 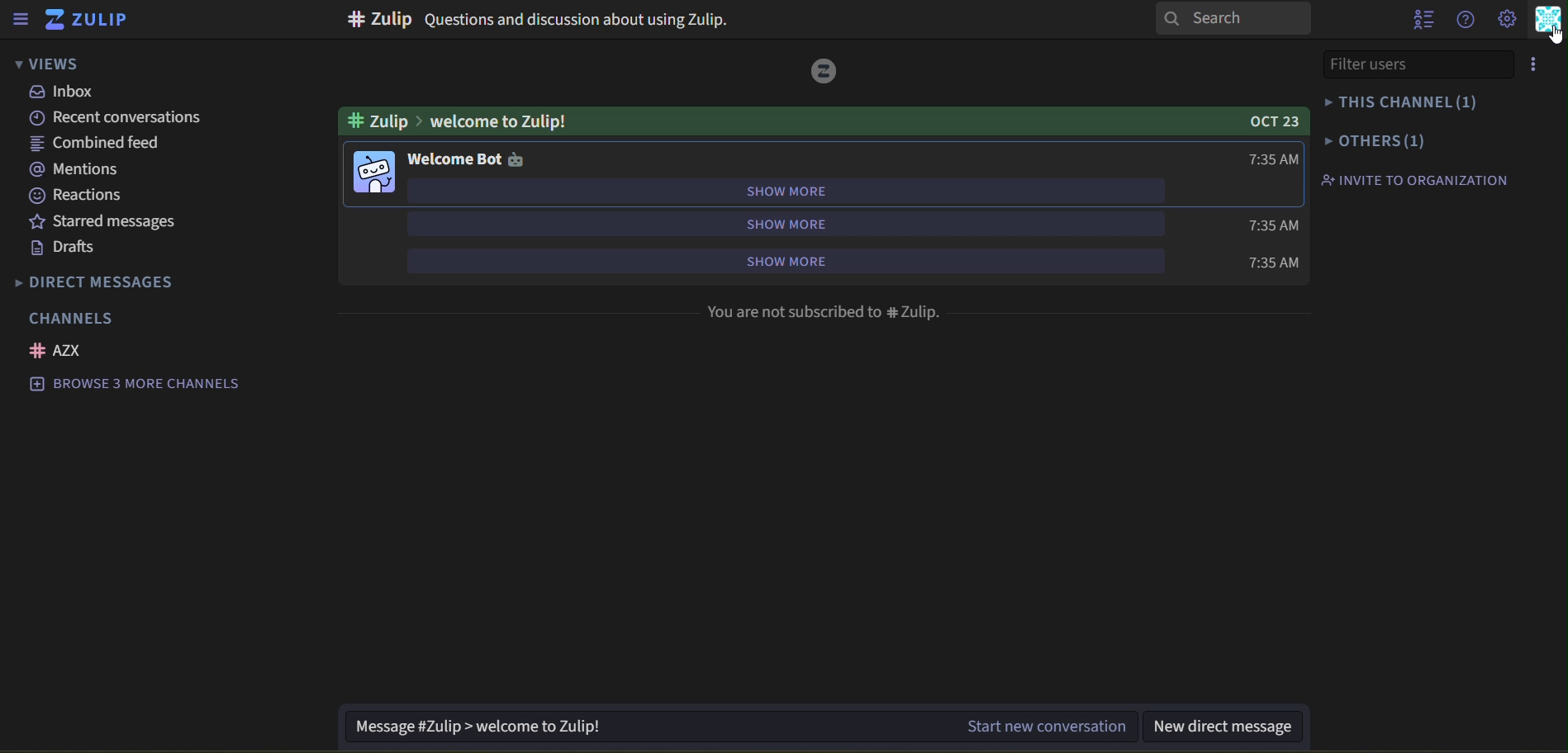 What do you see at coordinates (87, 196) in the screenshot?
I see `reactions` at bounding box center [87, 196].